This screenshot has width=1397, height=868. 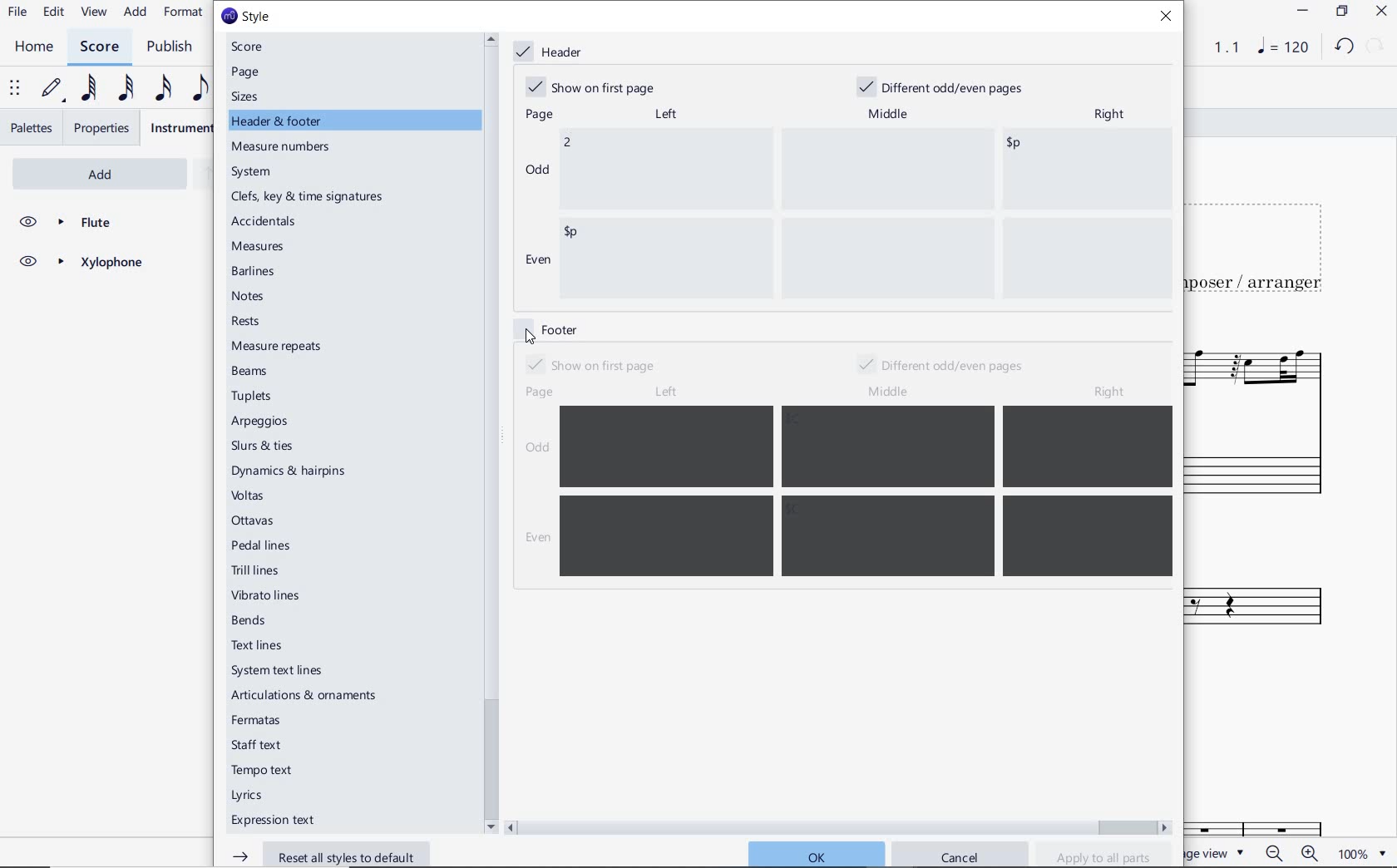 I want to click on middle, so click(x=891, y=392).